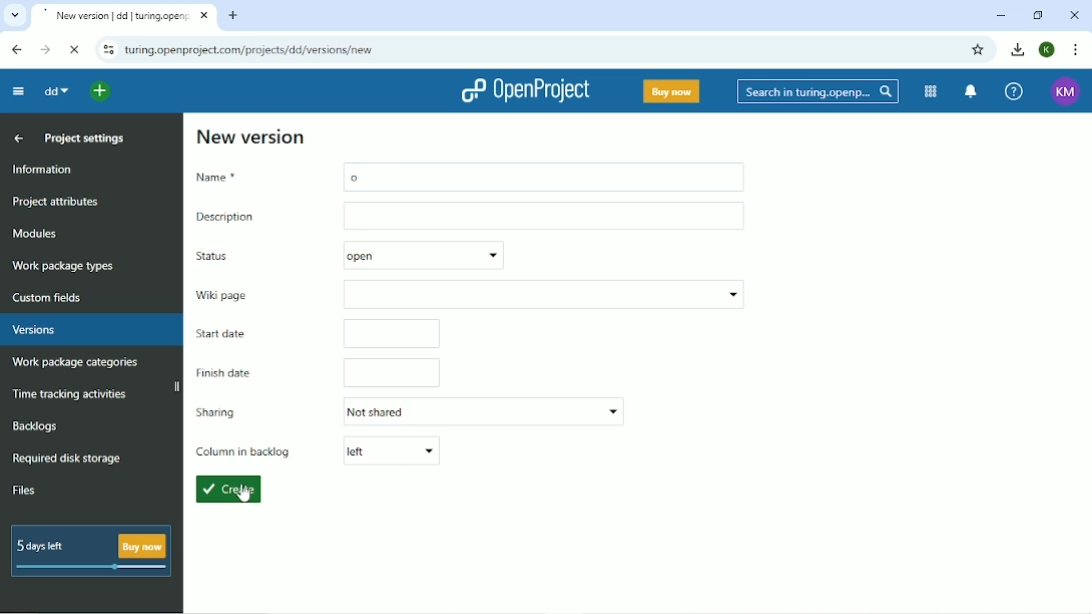  What do you see at coordinates (33, 426) in the screenshot?
I see `Backlogs` at bounding box center [33, 426].